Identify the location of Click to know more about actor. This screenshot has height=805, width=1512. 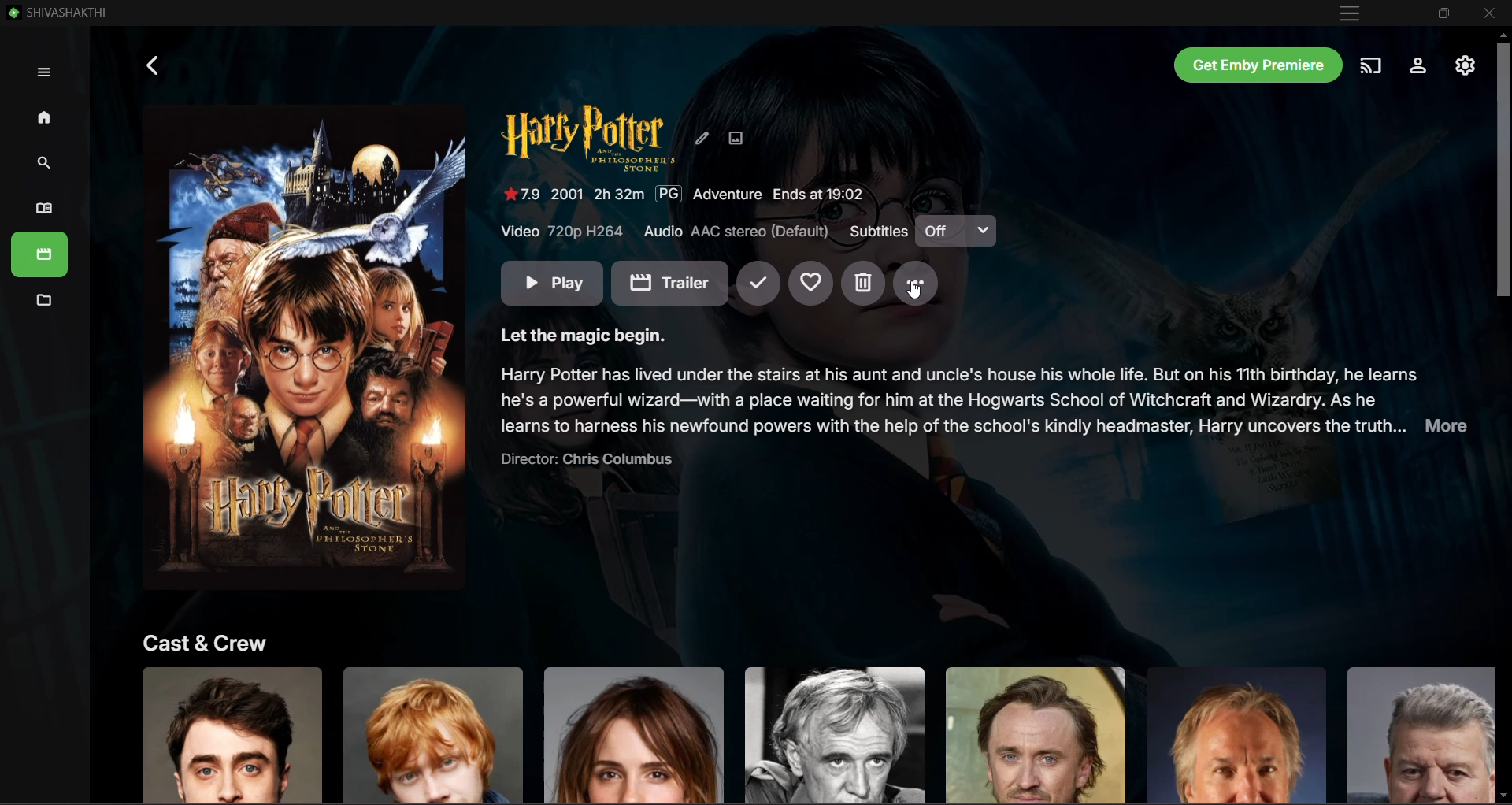
(1415, 734).